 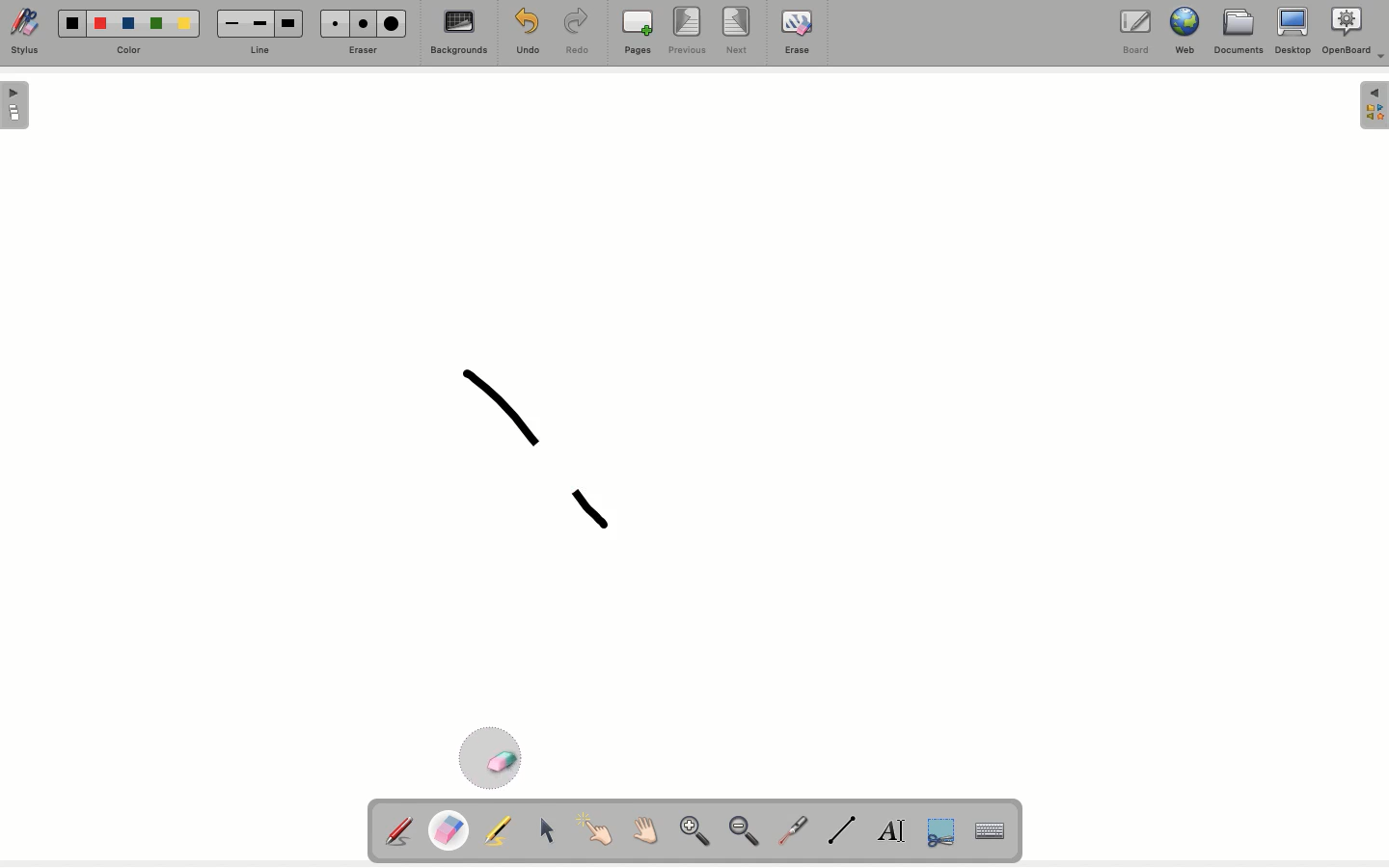 I want to click on Zoom in, so click(x=694, y=832).